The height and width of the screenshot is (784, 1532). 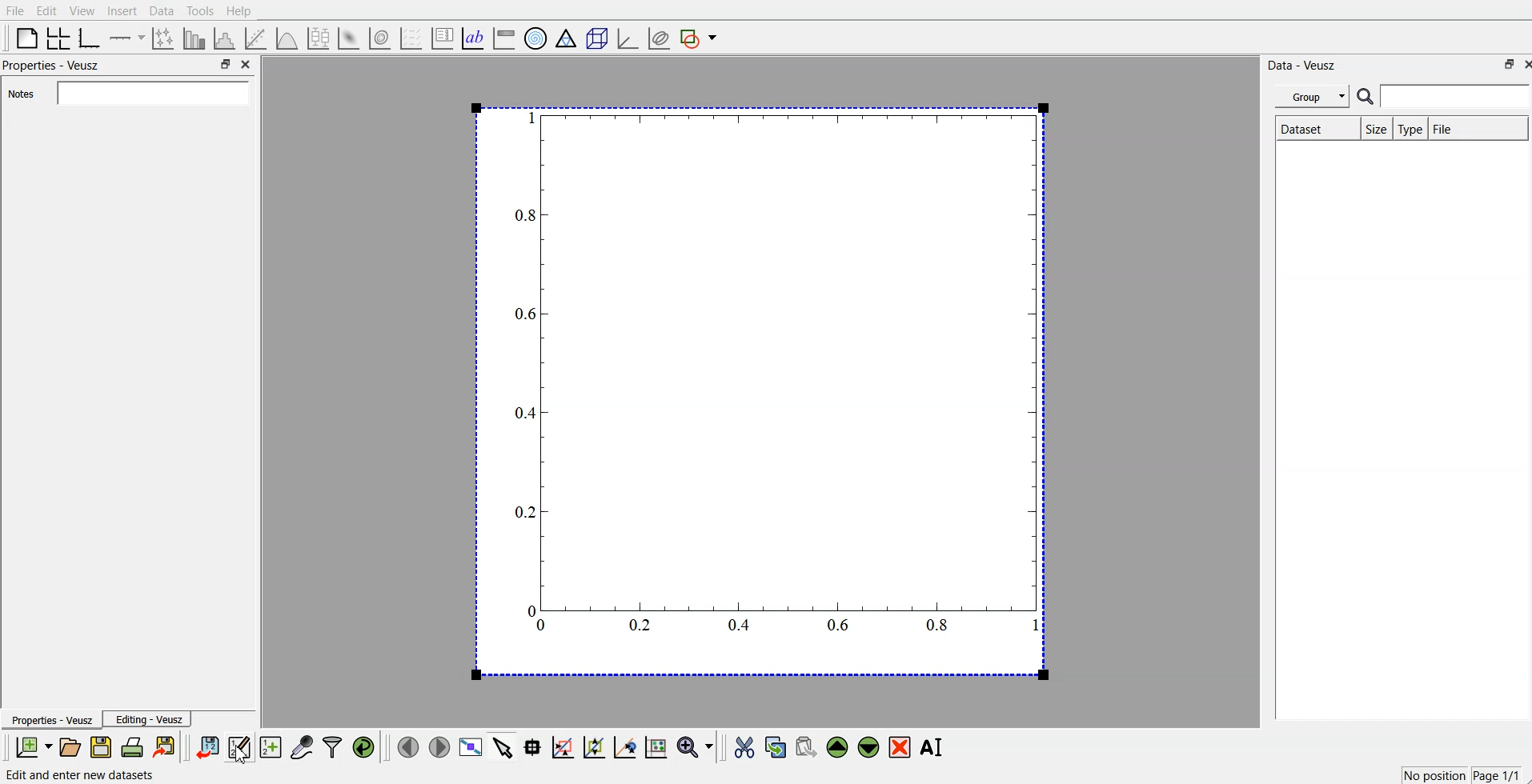 What do you see at coordinates (627, 35) in the screenshot?
I see `3d graph` at bounding box center [627, 35].